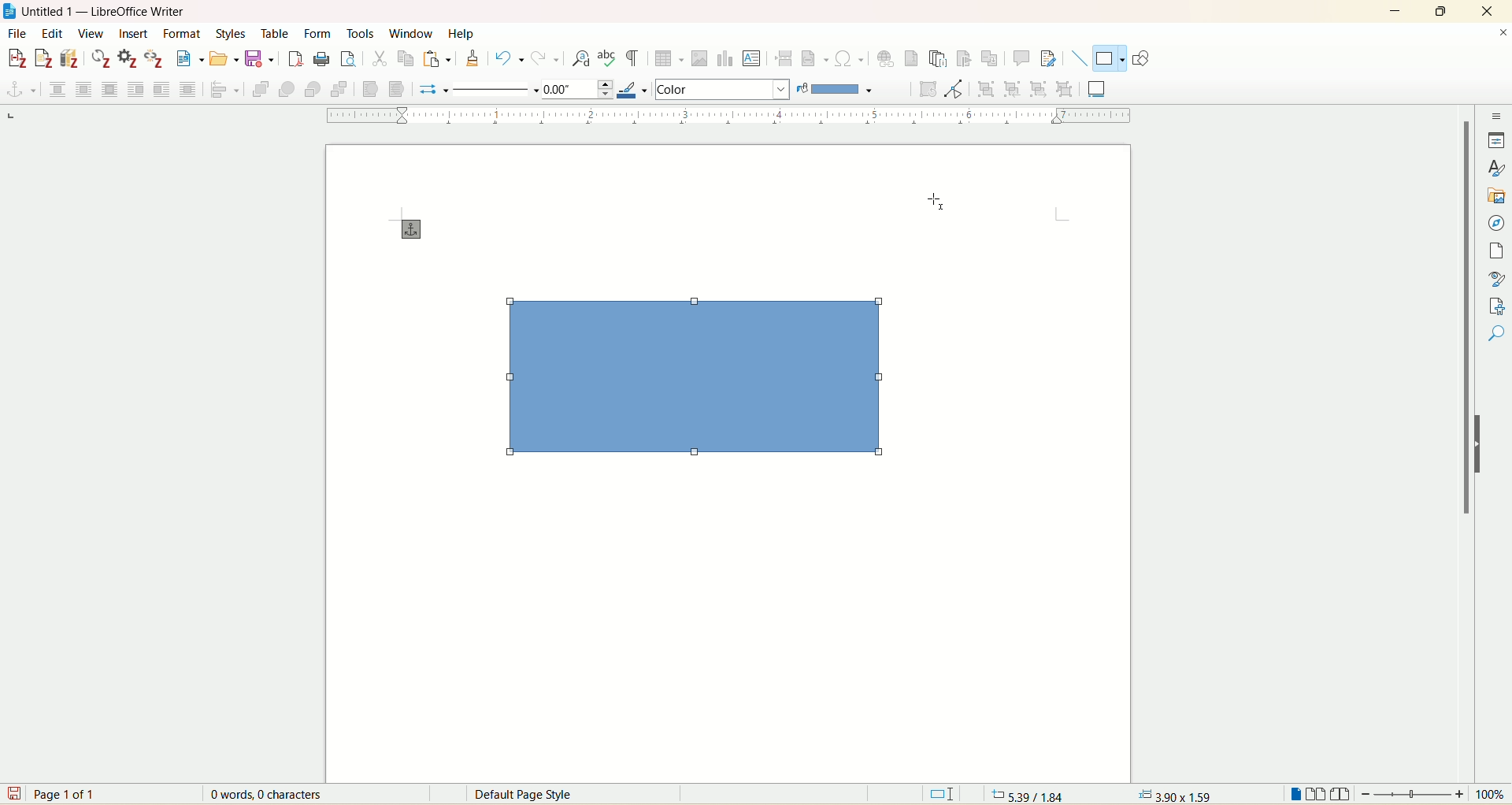 This screenshot has width=1512, height=805. What do you see at coordinates (1498, 196) in the screenshot?
I see `gallary` at bounding box center [1498, 196].